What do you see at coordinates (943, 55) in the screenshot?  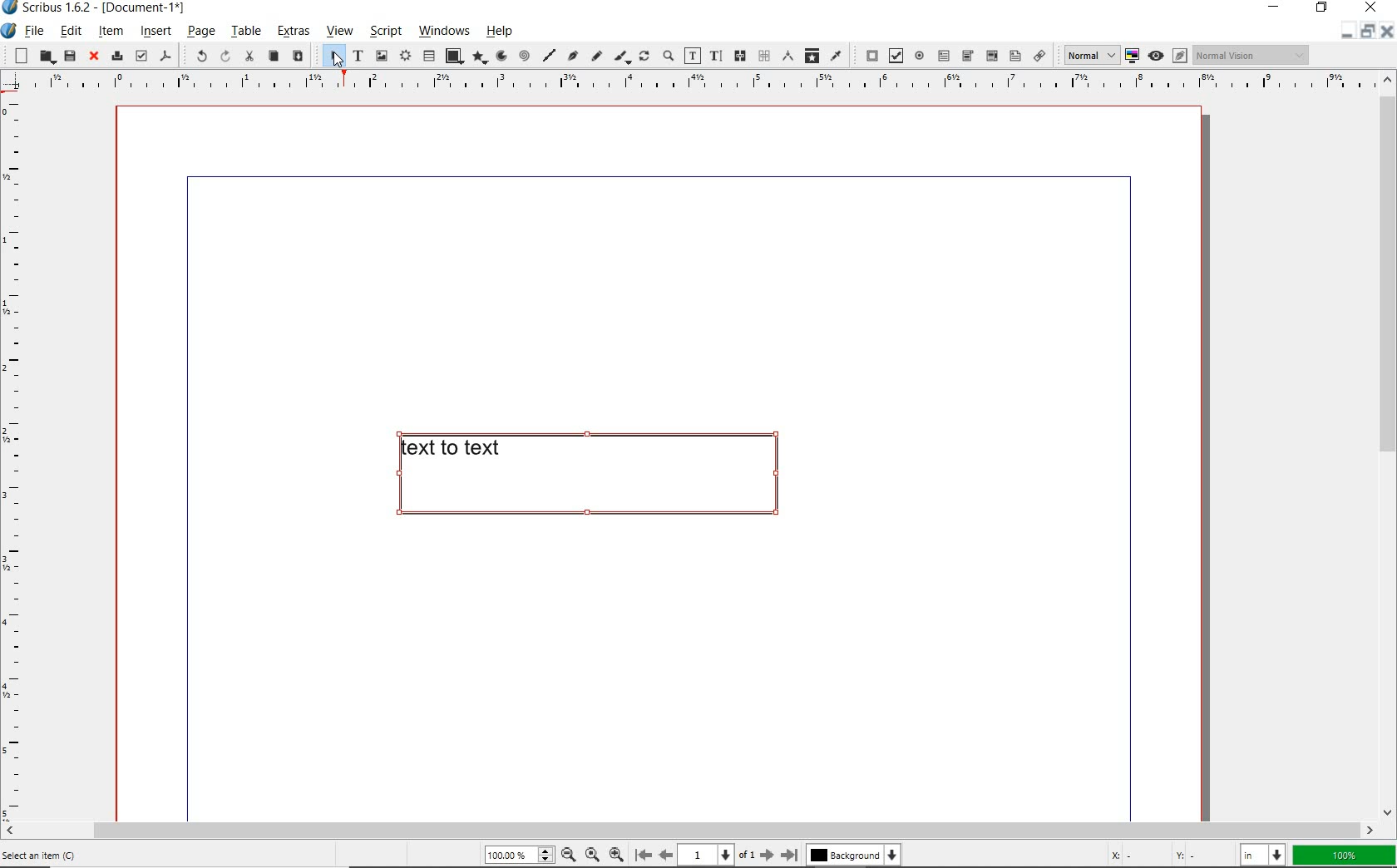 I see `pdf text field` at bounding box center [943, 55].